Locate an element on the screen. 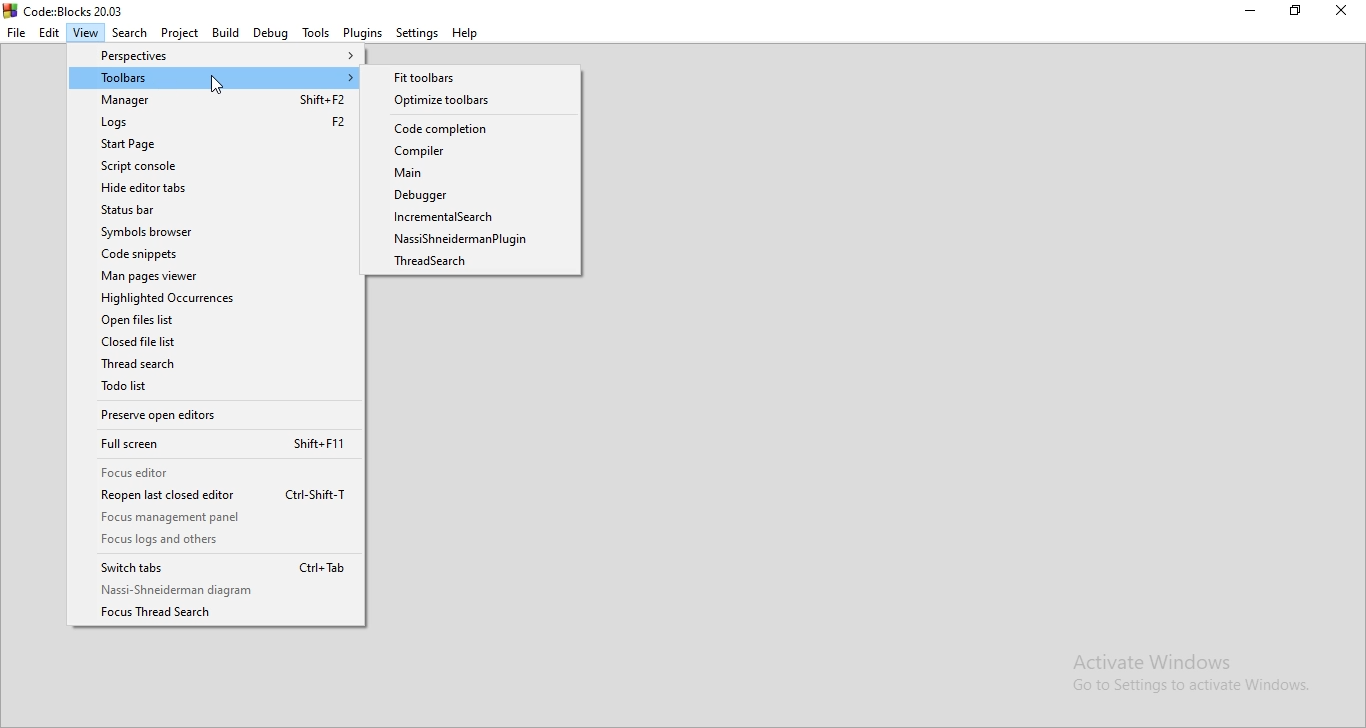  Focus management panel is located at coordinates (218, 518).